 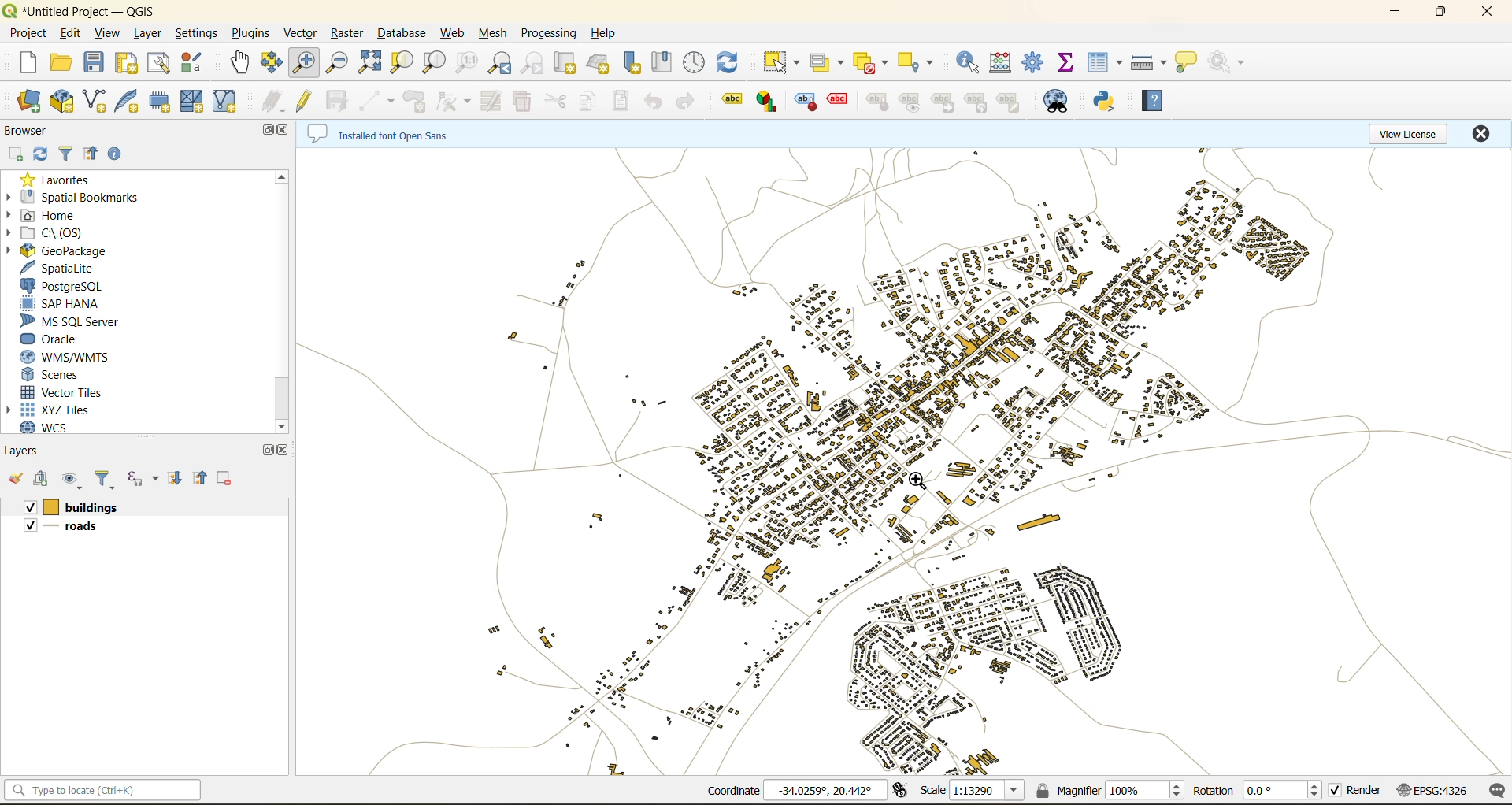 I want to click on delete, so click(x=521, y=102).